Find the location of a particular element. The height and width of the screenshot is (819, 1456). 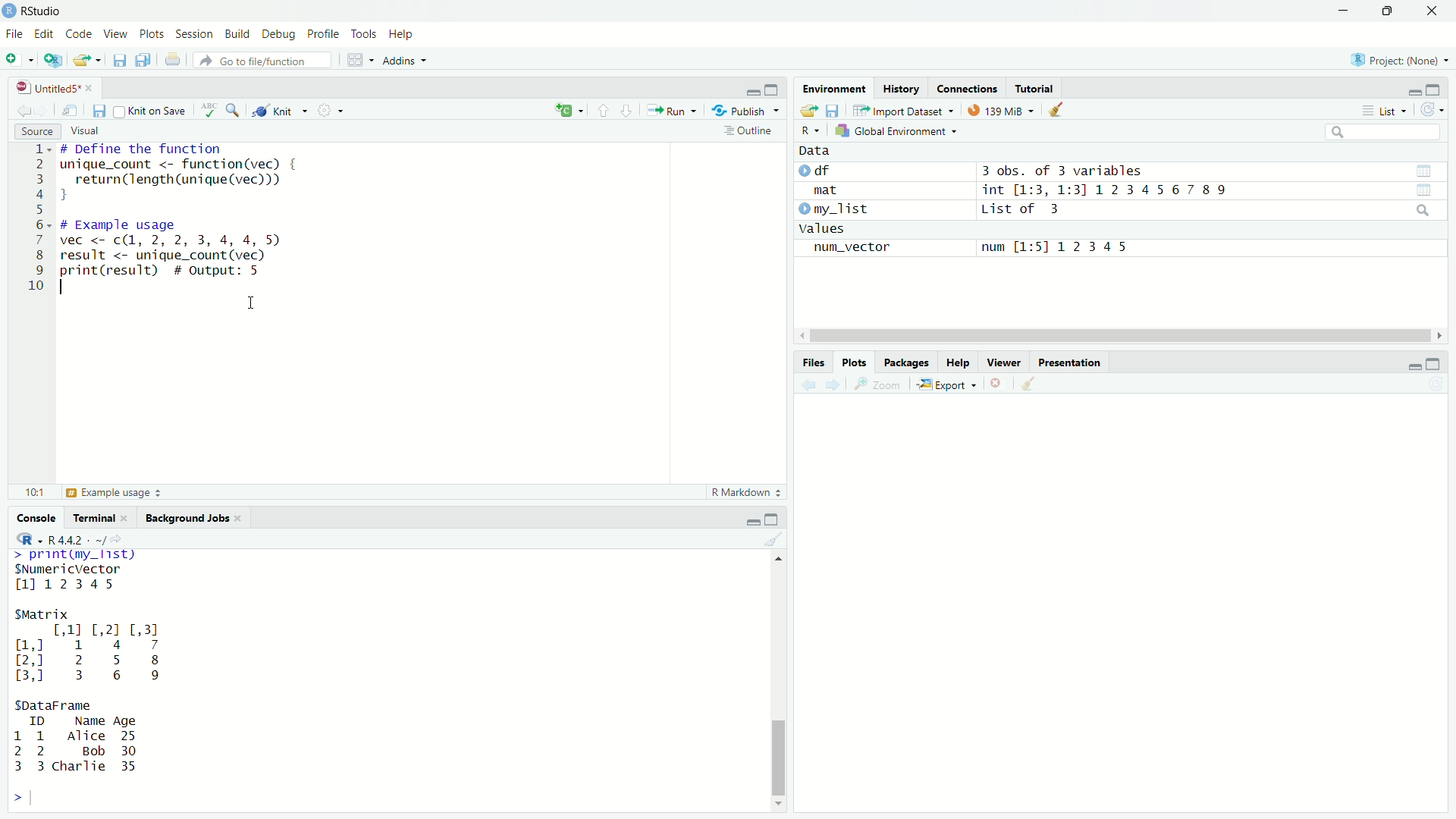

Terminal is located at coordinates (98, 519).